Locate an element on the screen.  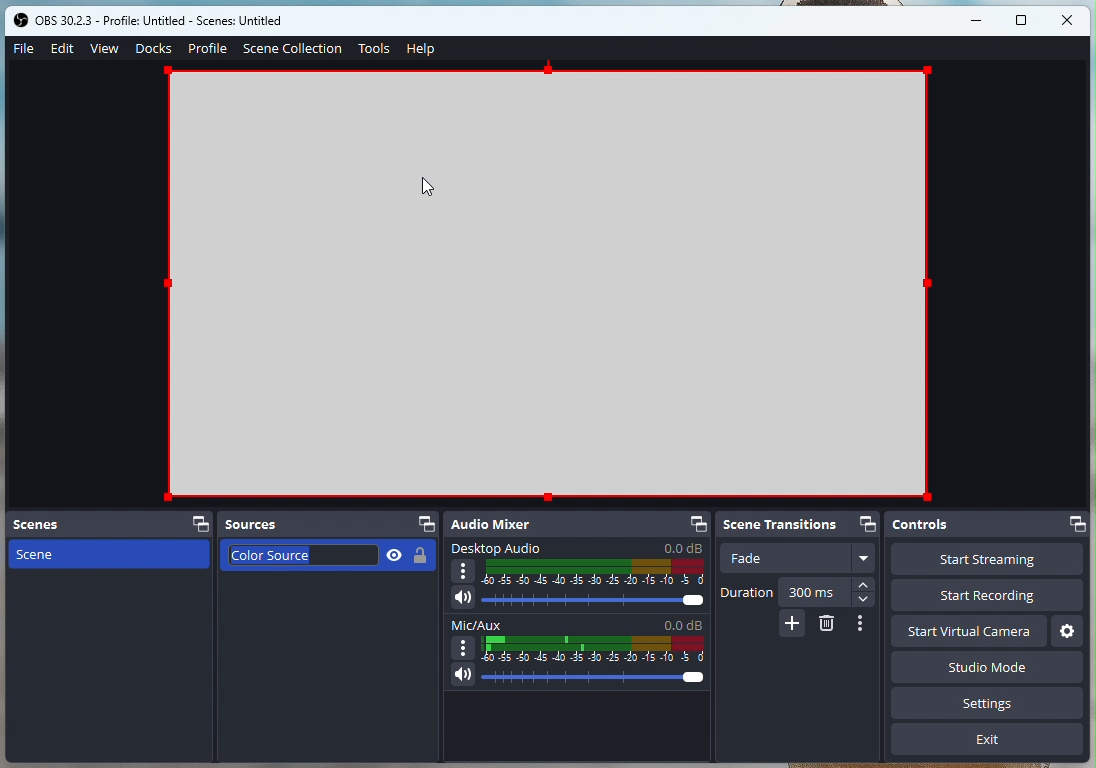
obs studio is located at coordinates (169, 21).